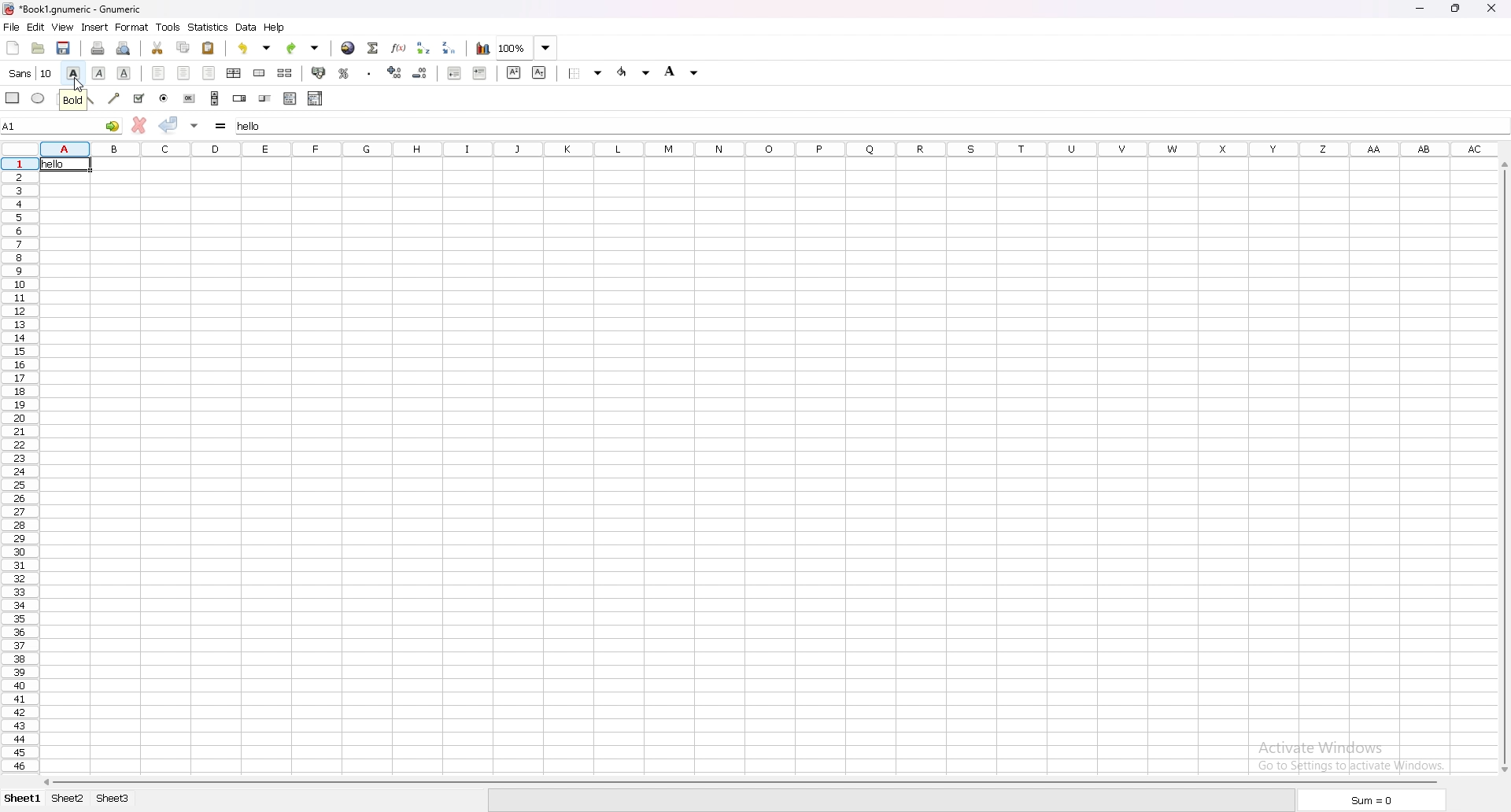 This screenshot has height=812, width=1511. I want to click on formula, so click(220, 125).